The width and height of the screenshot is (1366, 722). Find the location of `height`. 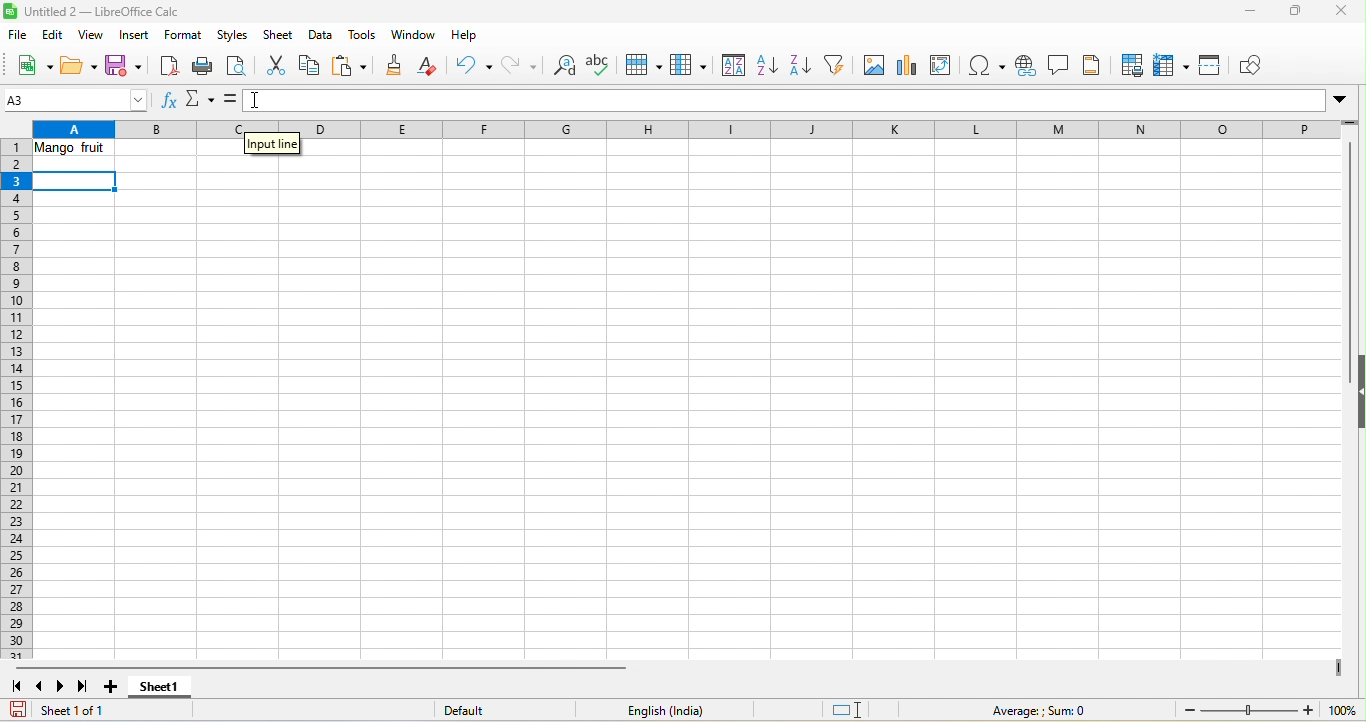

height is located at coordinates (1357, 388).